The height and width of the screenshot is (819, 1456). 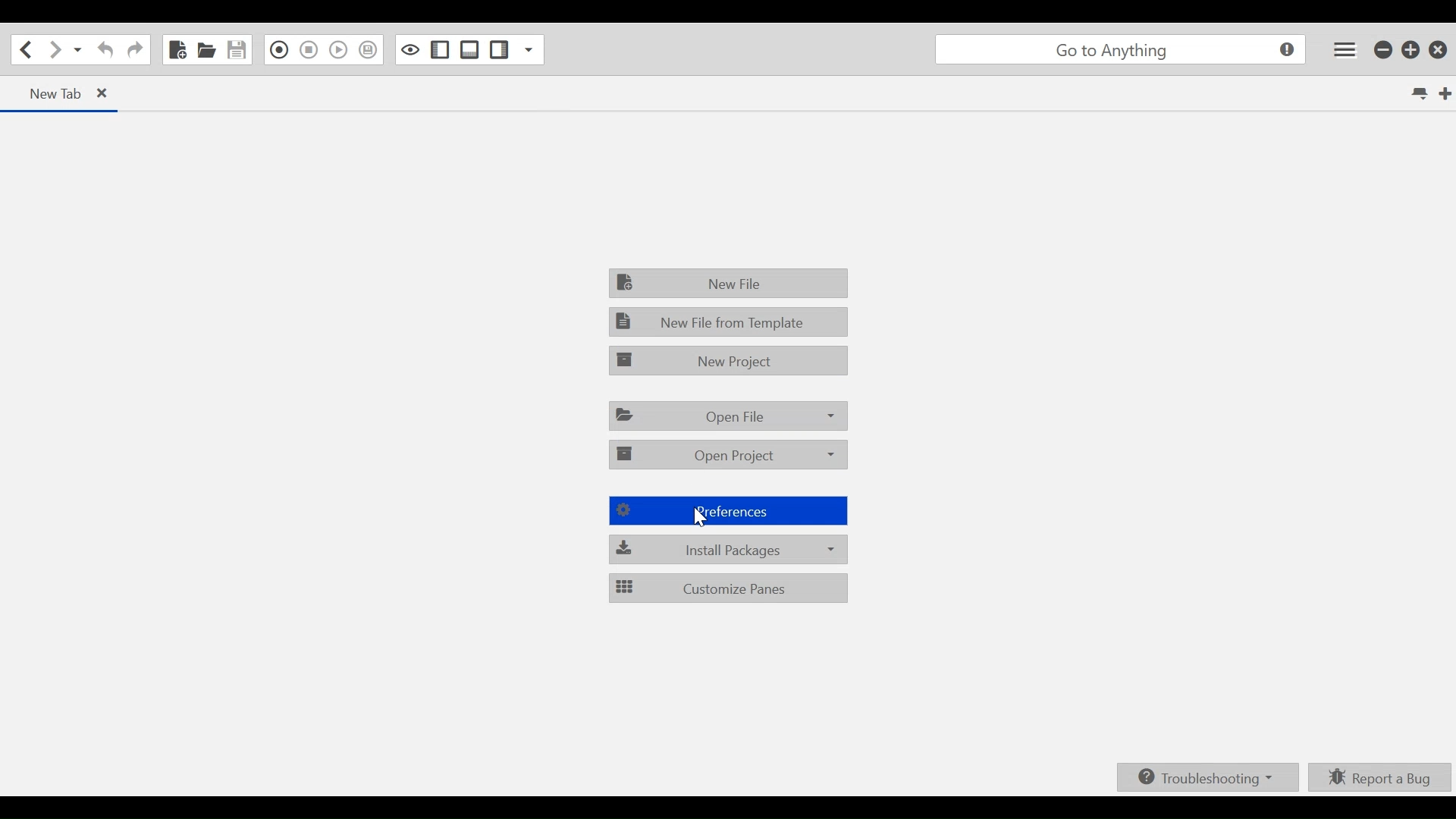 I want to click on Go to anything, so click(x=1122, y=50).